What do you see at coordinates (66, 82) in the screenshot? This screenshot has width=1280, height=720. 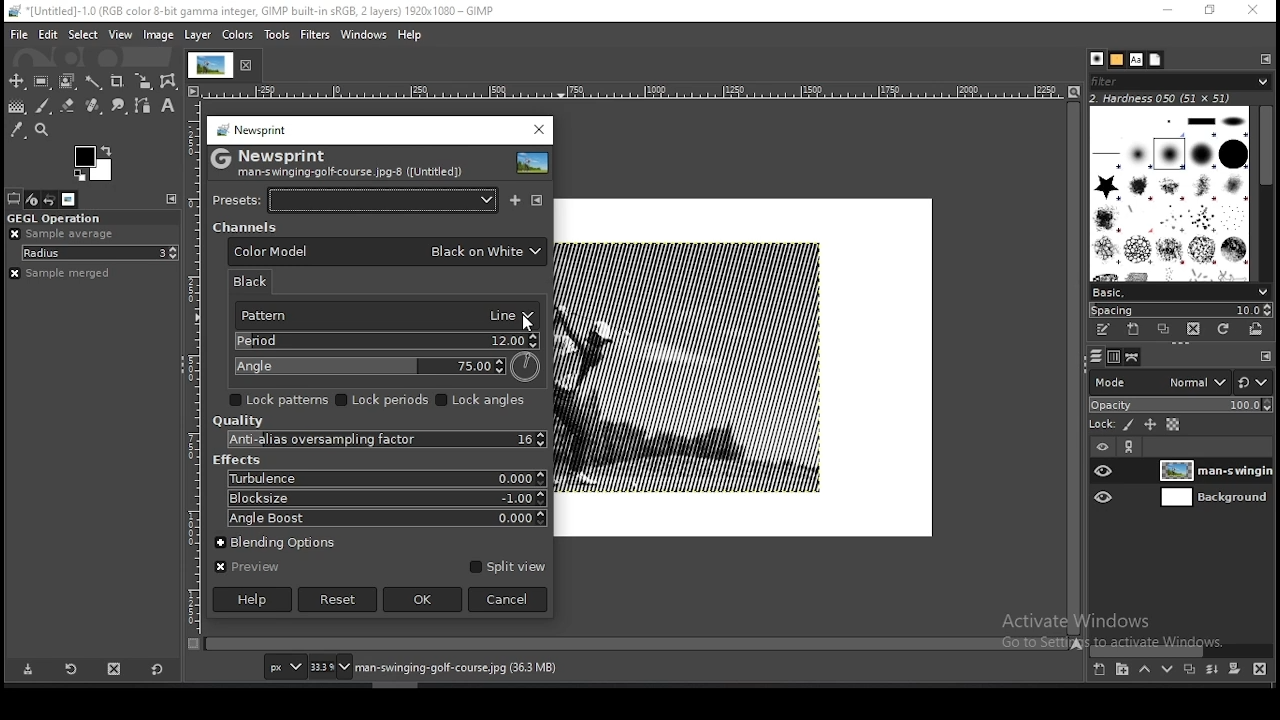 I see `foreground select tool` at bounding box center [66, 82].